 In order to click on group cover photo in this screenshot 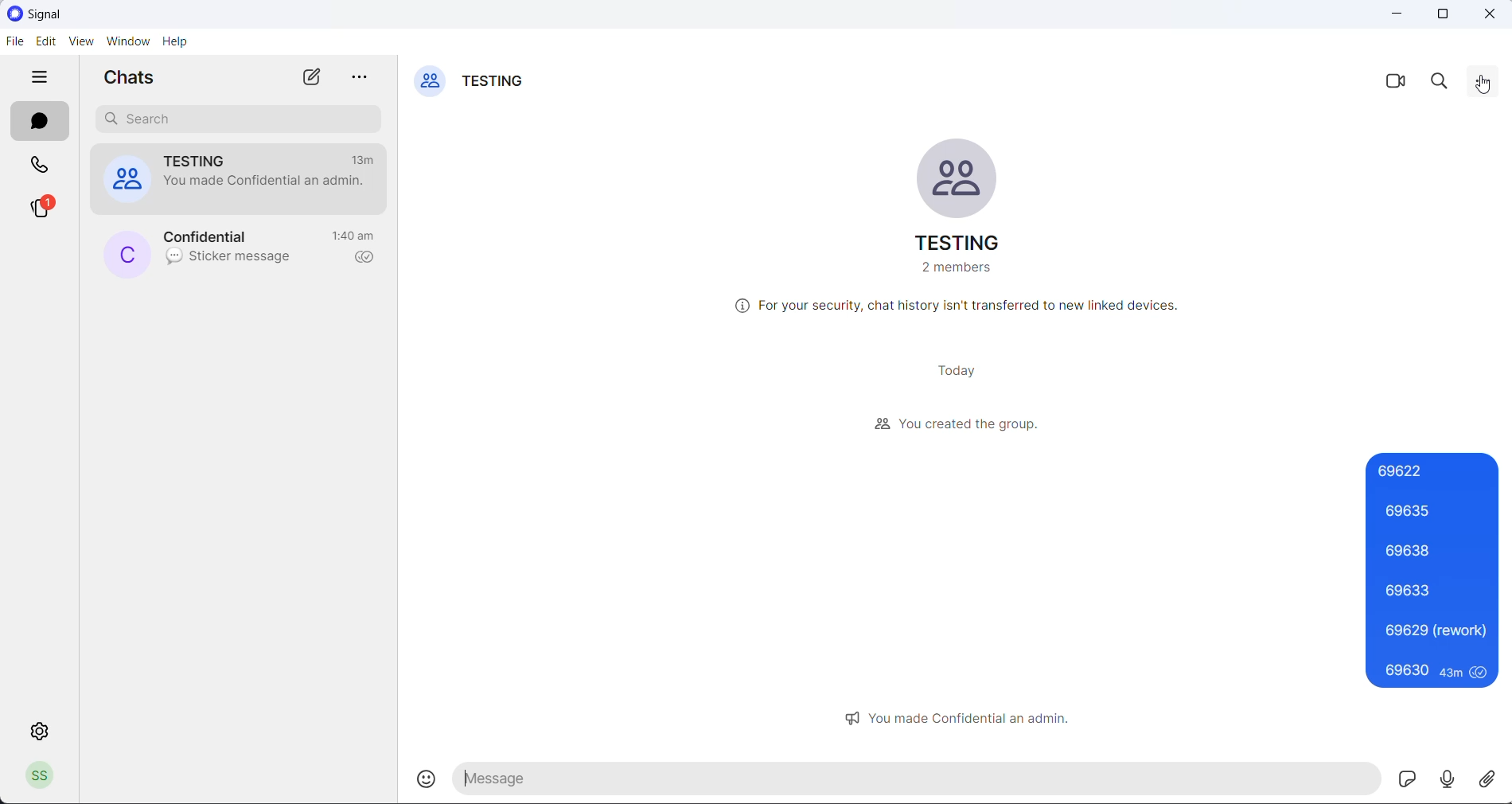, I will do `click(960, 178)`.